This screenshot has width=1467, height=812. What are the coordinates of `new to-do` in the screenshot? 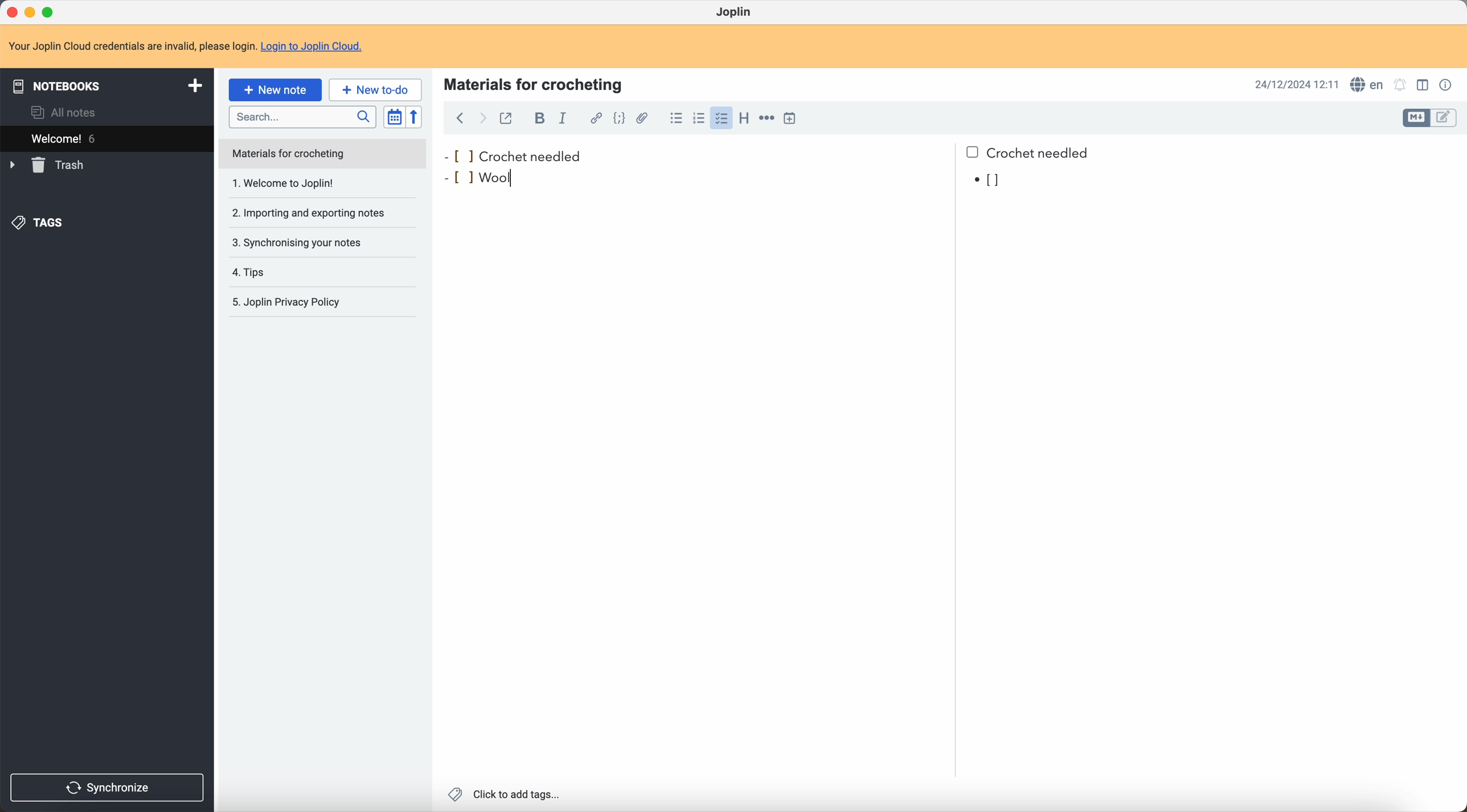 It's located at (375, 89).